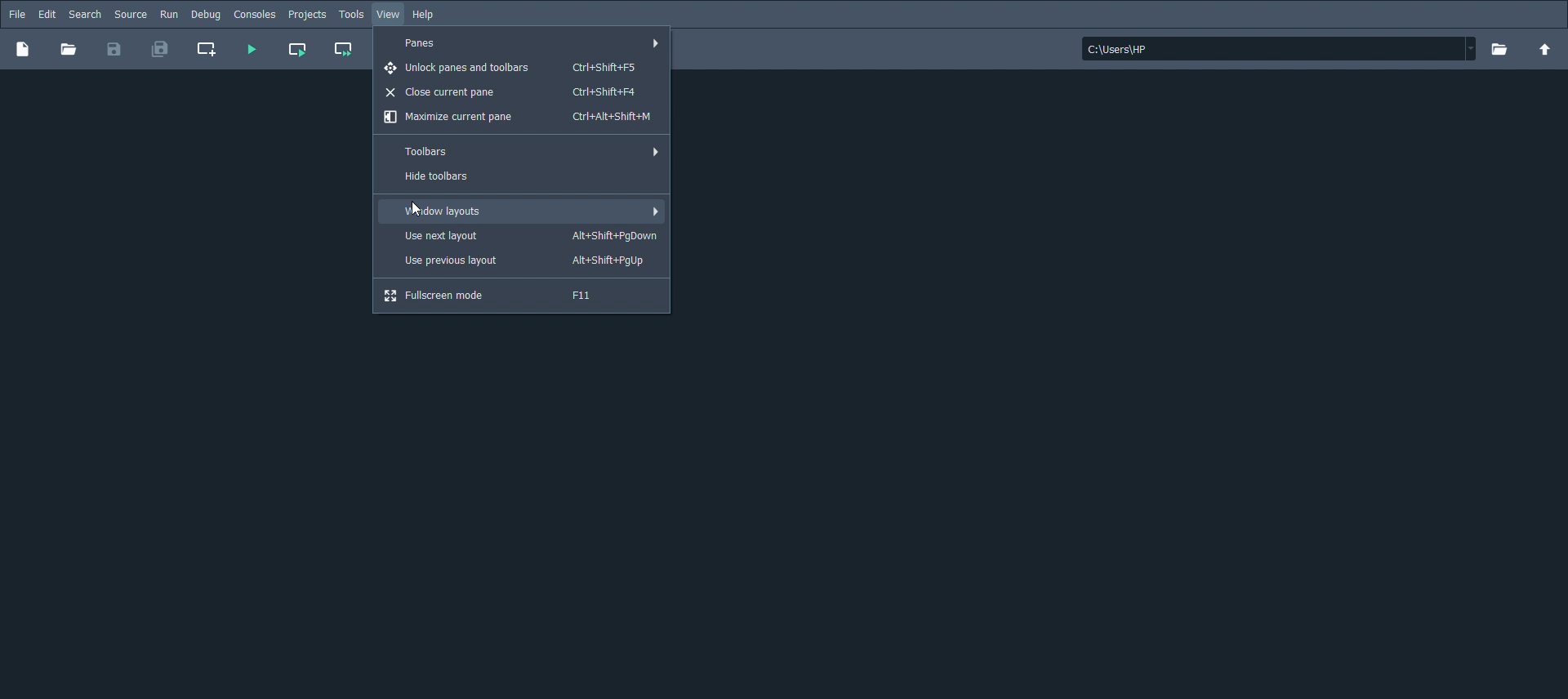  What do you see at coordinates (519, 118) in the screenshot?
I see `Maximize current pane` at bounding box center [519, 118].